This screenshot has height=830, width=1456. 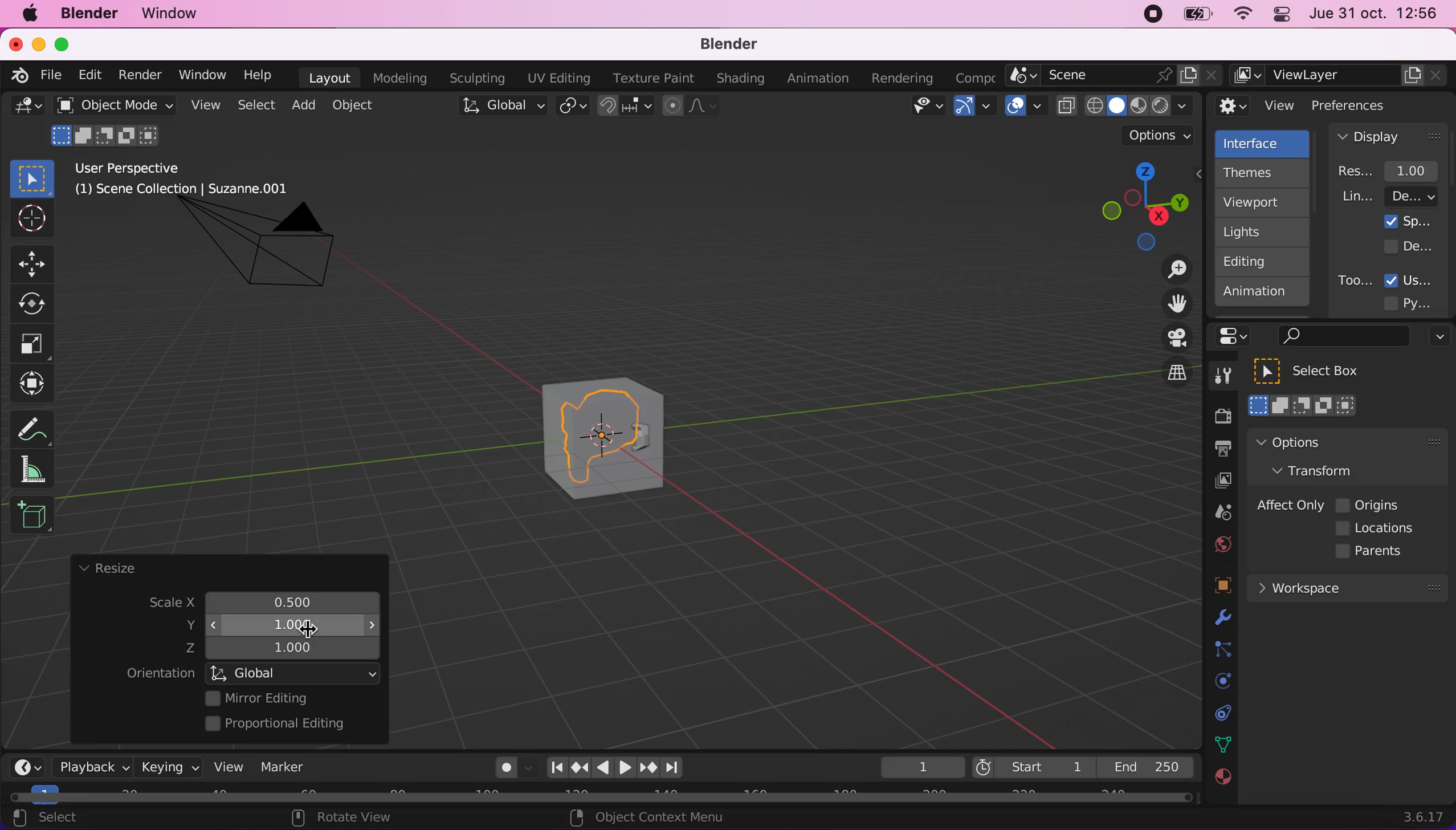 What do you see at coordinates (224, 766) in the screenshot?
I see `view` at bounding box center [224, 766].